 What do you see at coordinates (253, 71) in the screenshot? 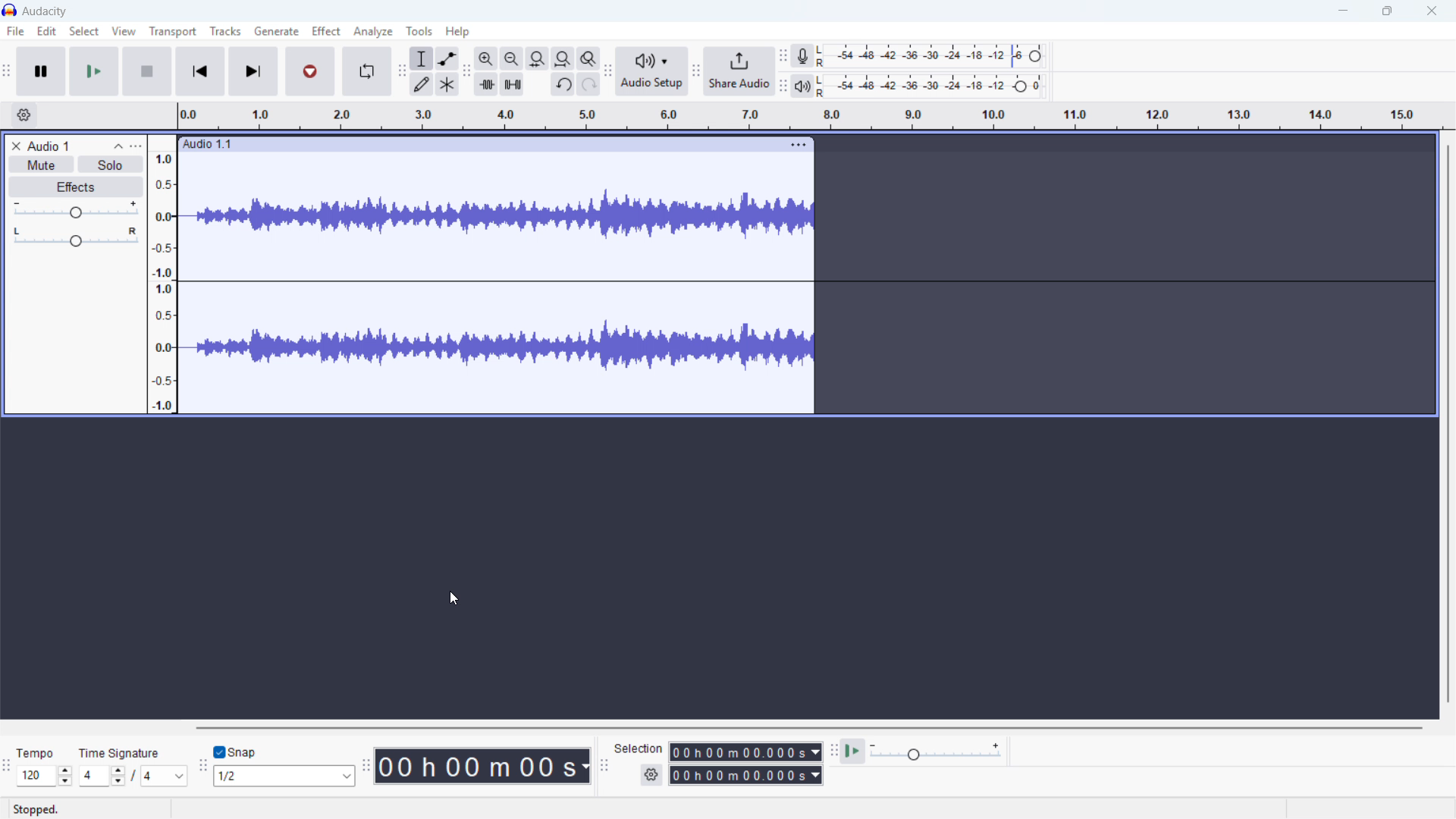
I see `Skip to last ` at bounding box center [253, 71].